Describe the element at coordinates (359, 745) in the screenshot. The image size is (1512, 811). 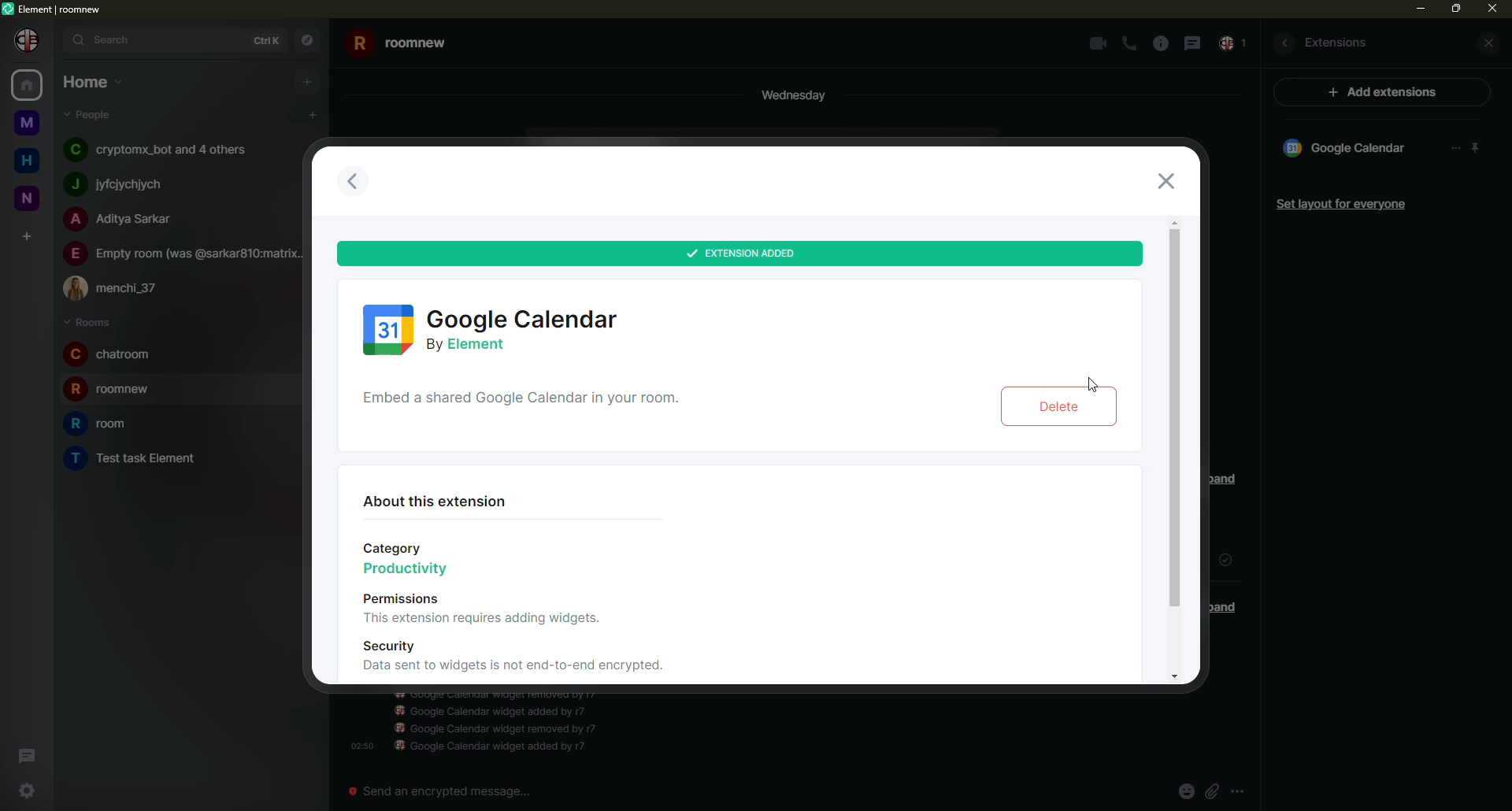
I see `time` at that location.